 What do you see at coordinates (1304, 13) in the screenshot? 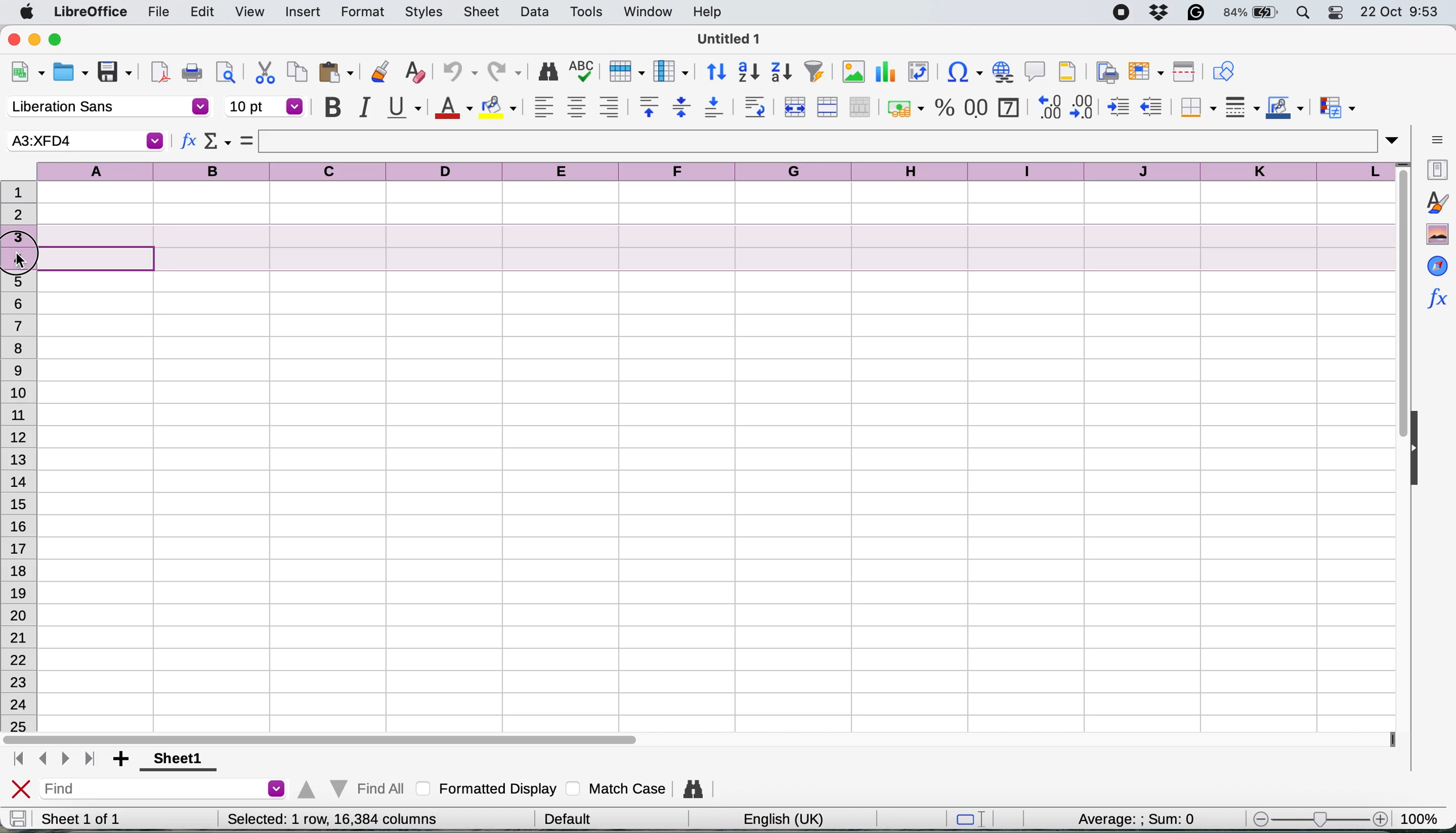
I see `spotlight search` at bounding box center [1304, 13].